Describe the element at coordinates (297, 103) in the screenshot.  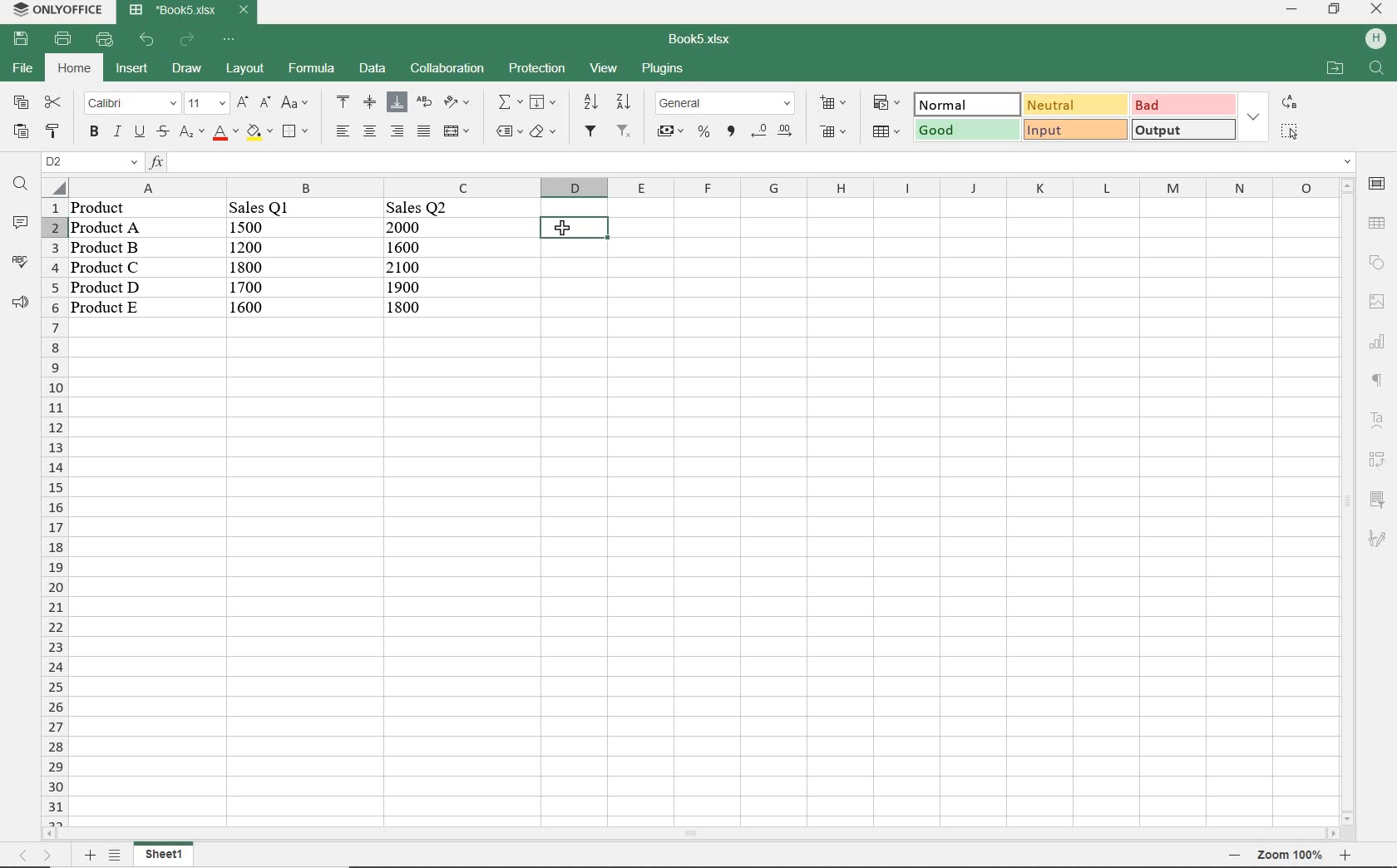
I see `change case` at that location.